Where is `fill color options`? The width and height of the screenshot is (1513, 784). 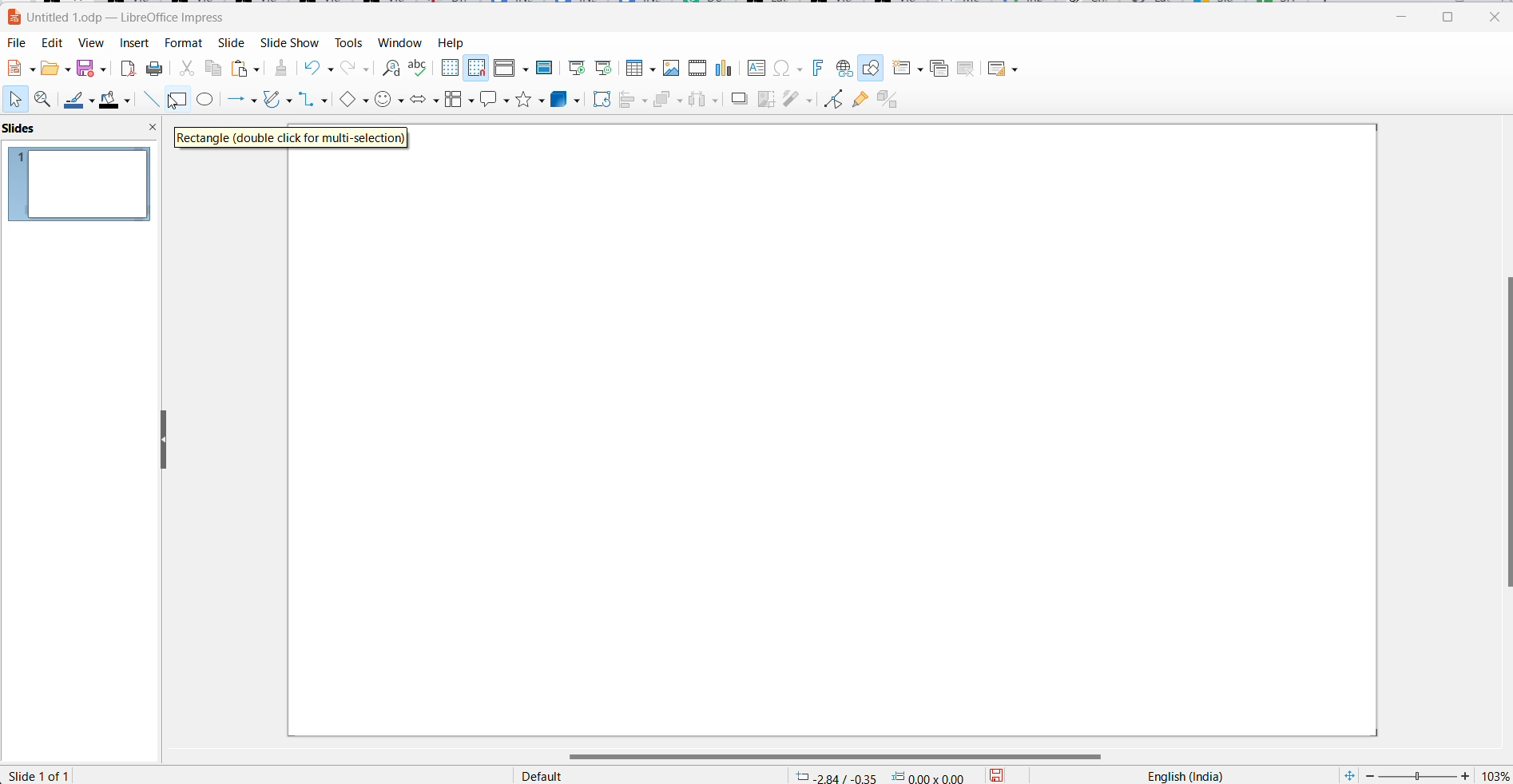
fill color options is located at coordinates (125, 101).